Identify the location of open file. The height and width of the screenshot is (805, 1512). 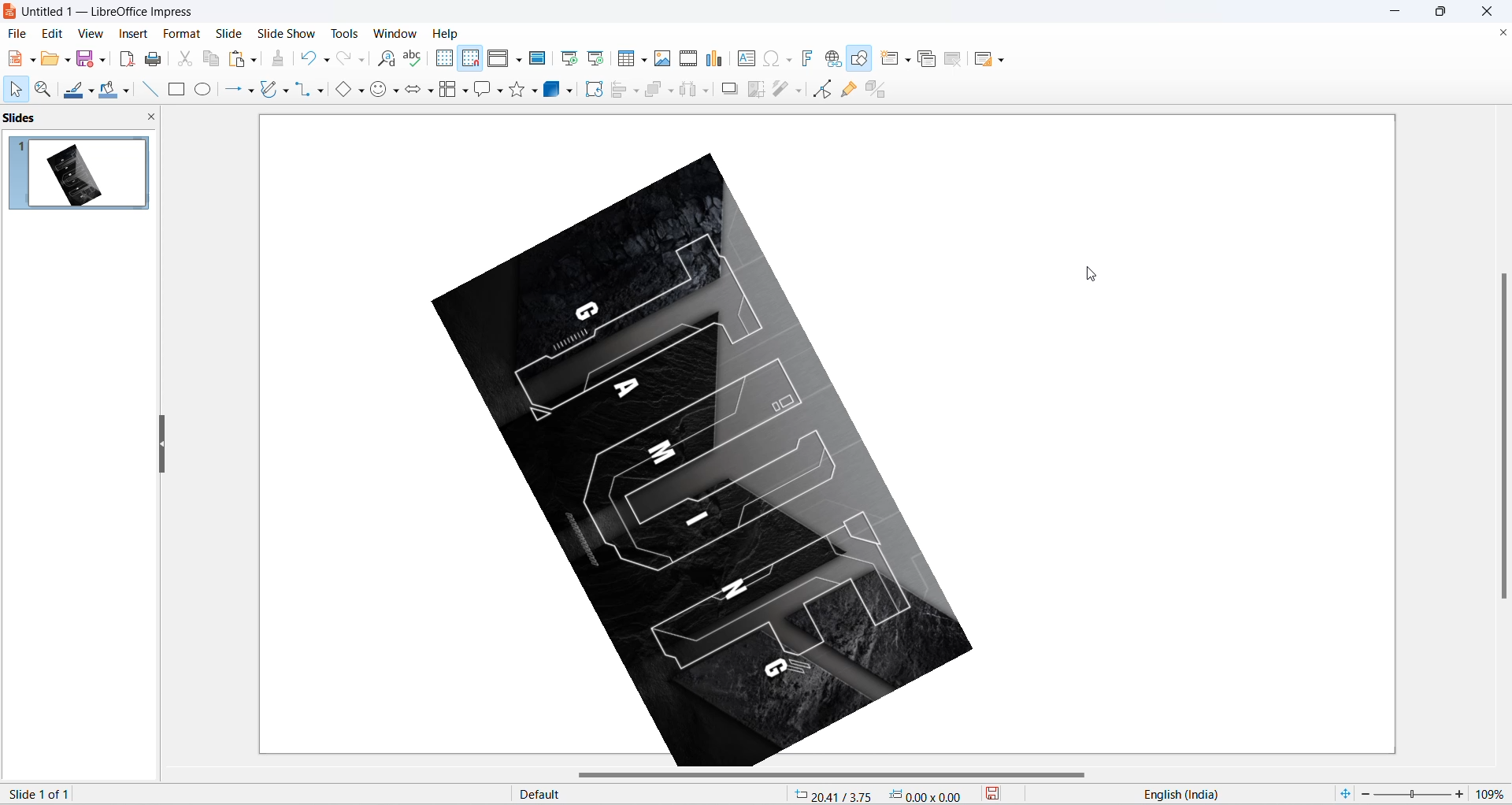
(50, 61).